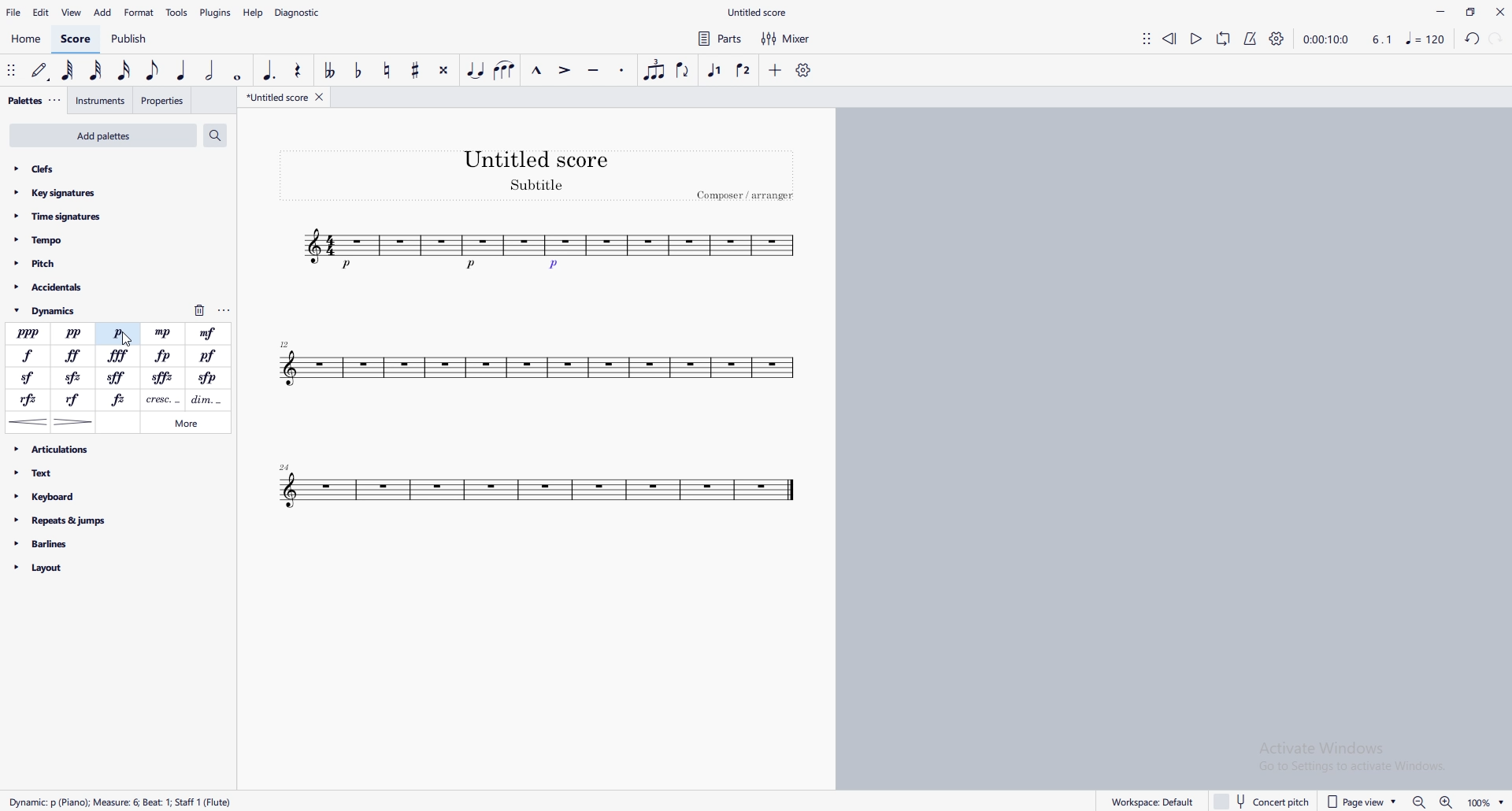 Image resolution: width=1512 pixels, height=811 pixels. What do you see at coordinates (300, 13) in the screenshot?
I see `diagnostic` at bounding box center [300, 13].